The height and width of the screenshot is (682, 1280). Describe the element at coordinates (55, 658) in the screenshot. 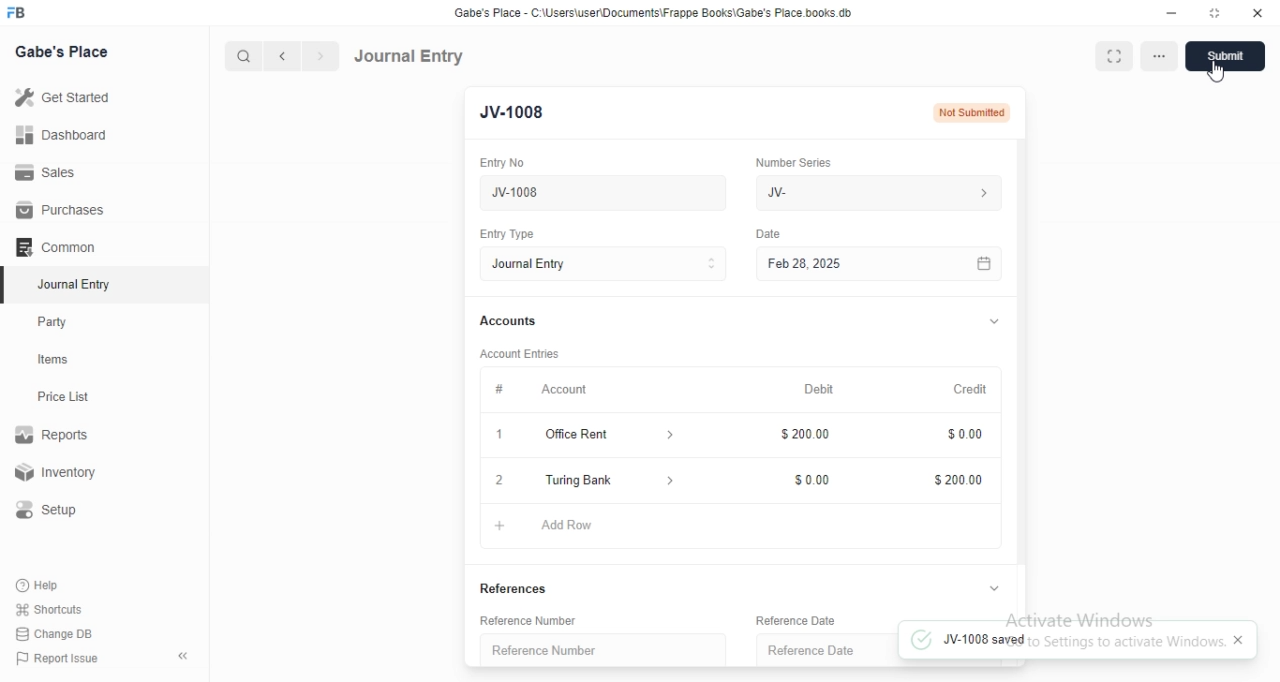

I see `‘Report Issue` at that location.